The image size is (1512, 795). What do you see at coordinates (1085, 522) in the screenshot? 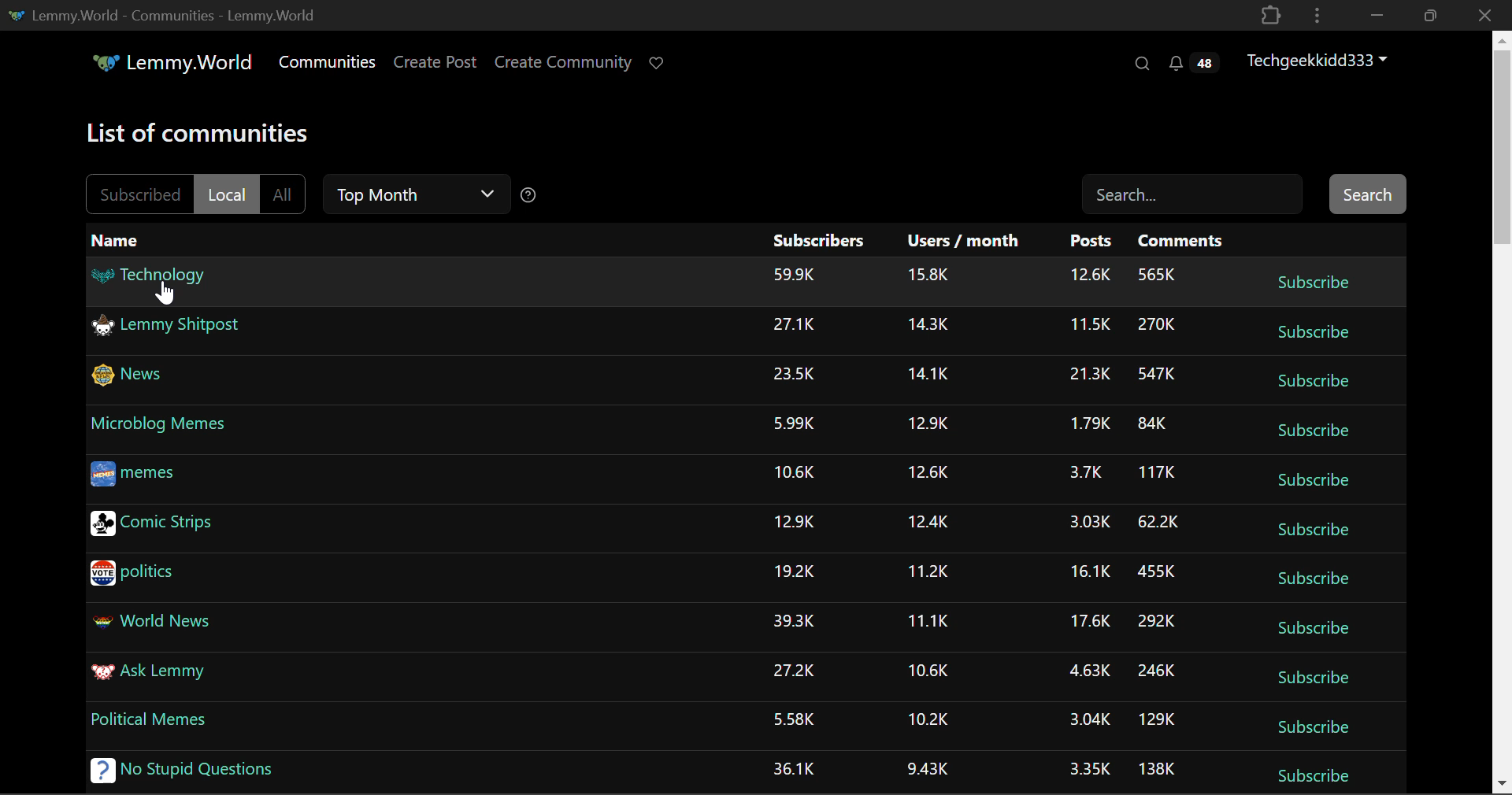
I see `Amount ` at bounding box center [1085, 522].